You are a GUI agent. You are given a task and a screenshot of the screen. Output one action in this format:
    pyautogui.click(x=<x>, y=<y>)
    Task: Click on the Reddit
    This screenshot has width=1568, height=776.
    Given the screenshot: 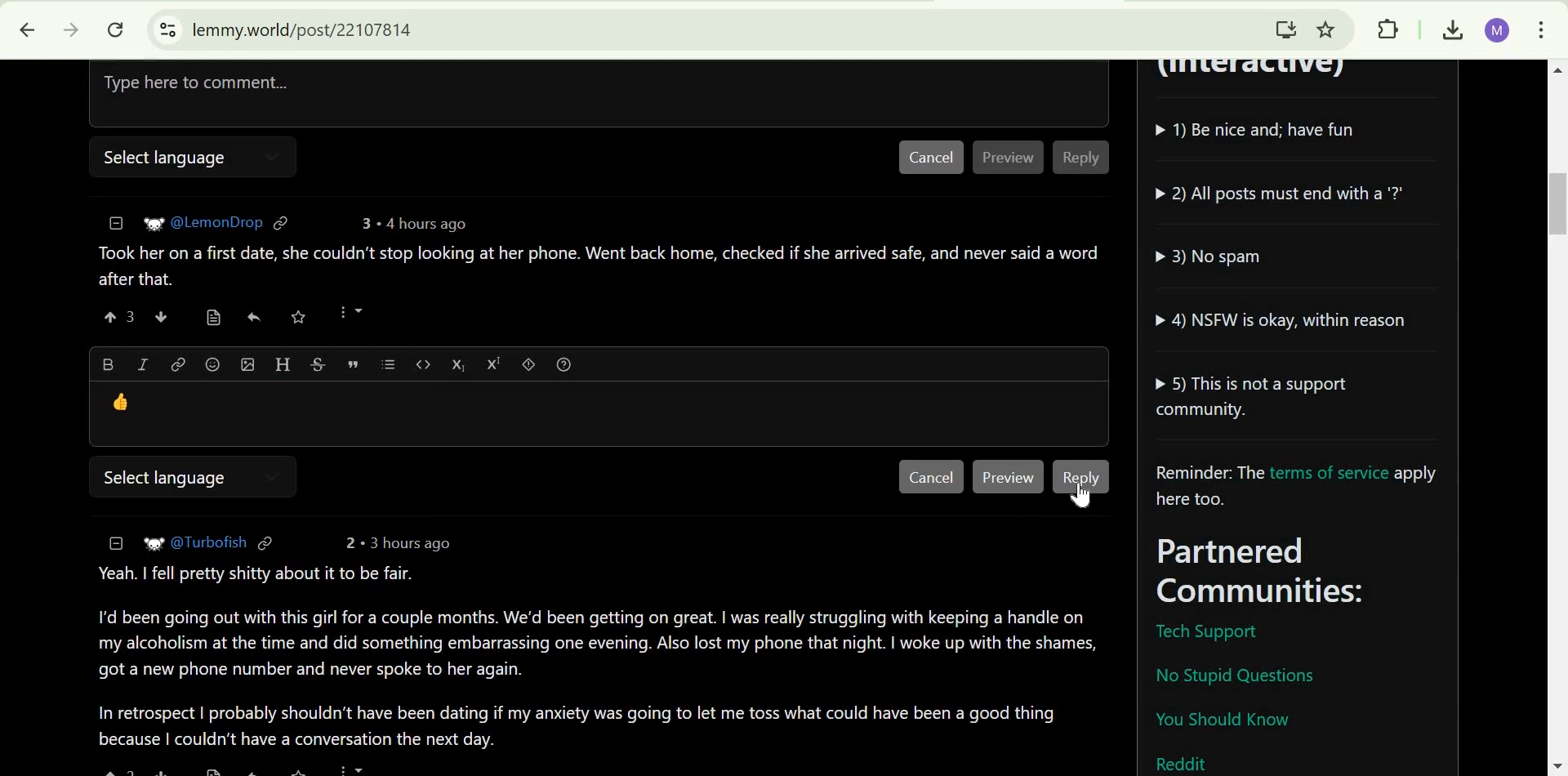 What is the action you would take?
    pyautogui.click(x=1183, y=761)
    